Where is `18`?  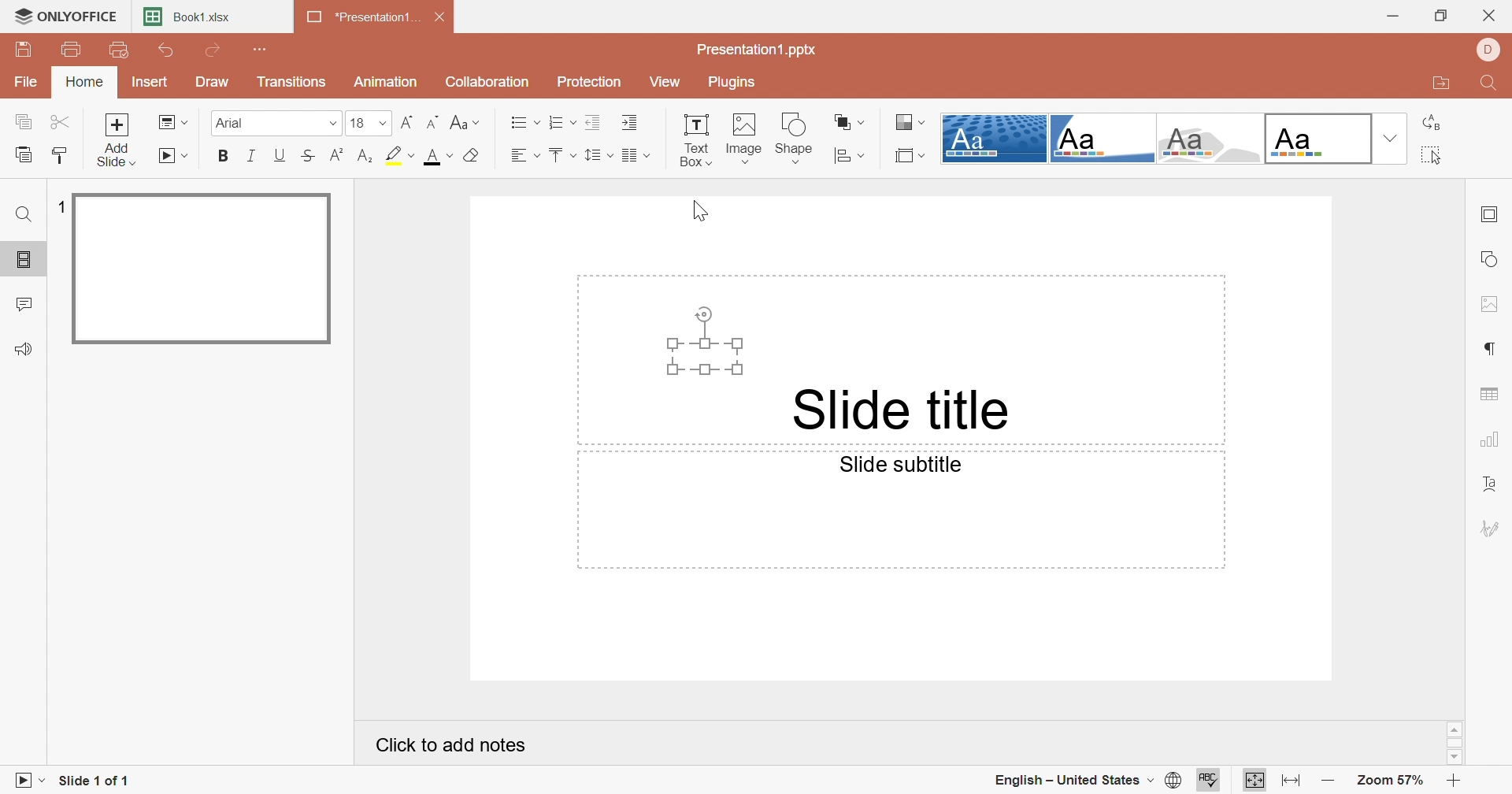
18 is located at coordinates (369, 123).